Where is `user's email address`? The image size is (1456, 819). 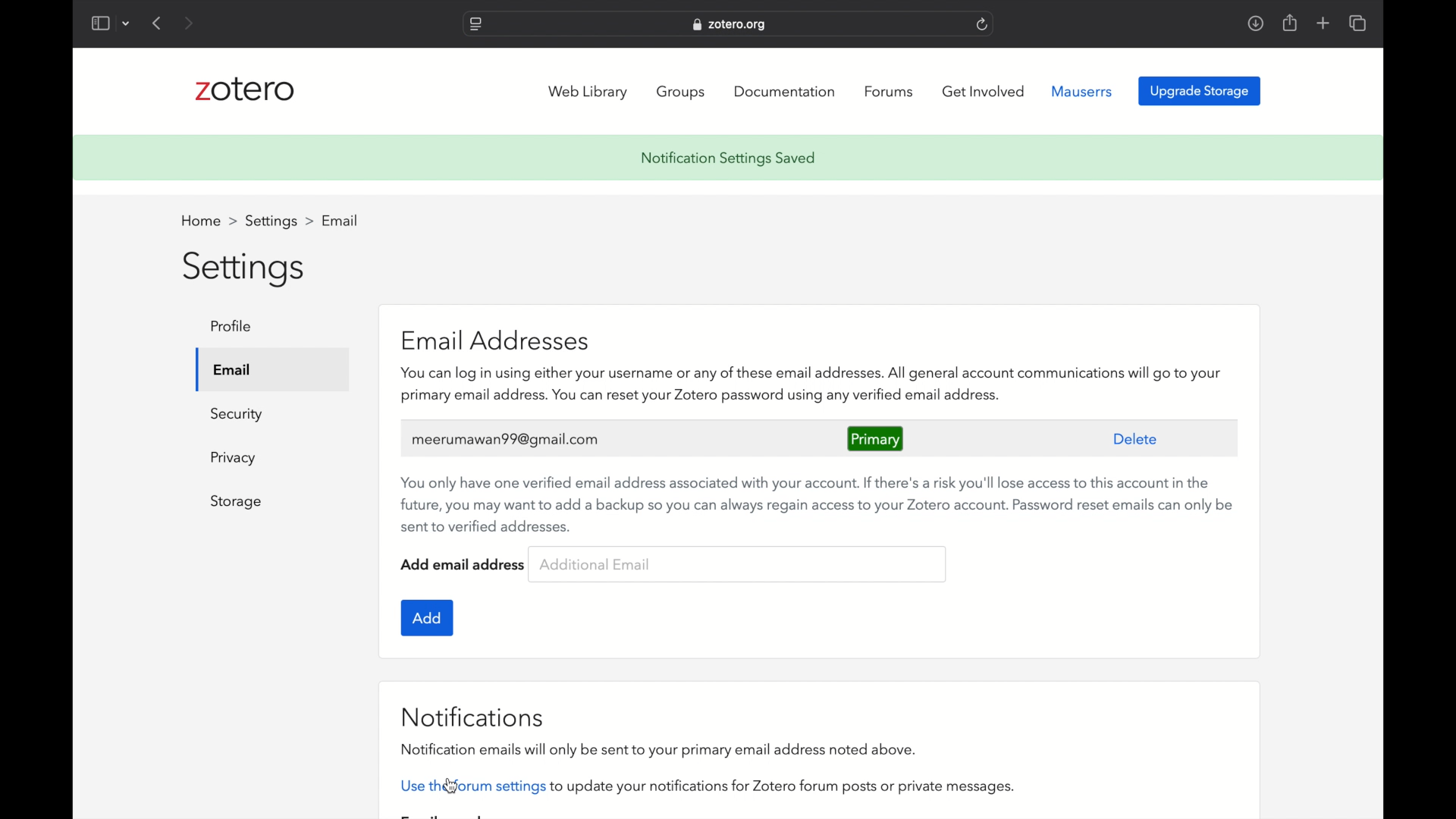 user's email address is located at coordinates (504, 439).